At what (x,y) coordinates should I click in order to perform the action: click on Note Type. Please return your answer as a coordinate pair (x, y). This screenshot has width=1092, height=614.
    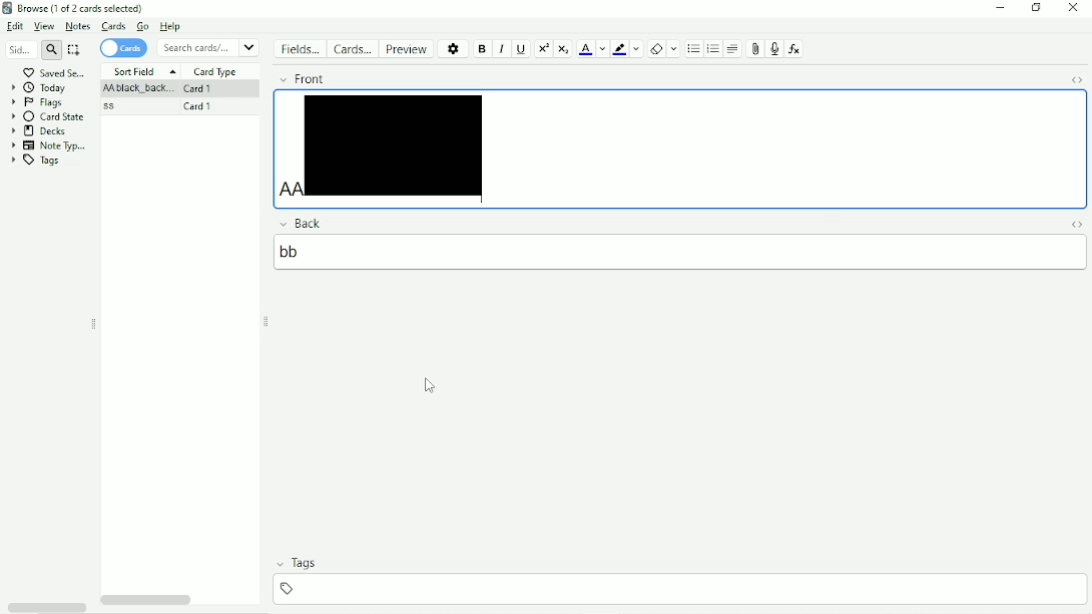
    Looking at the image, I should click on (48, 145).